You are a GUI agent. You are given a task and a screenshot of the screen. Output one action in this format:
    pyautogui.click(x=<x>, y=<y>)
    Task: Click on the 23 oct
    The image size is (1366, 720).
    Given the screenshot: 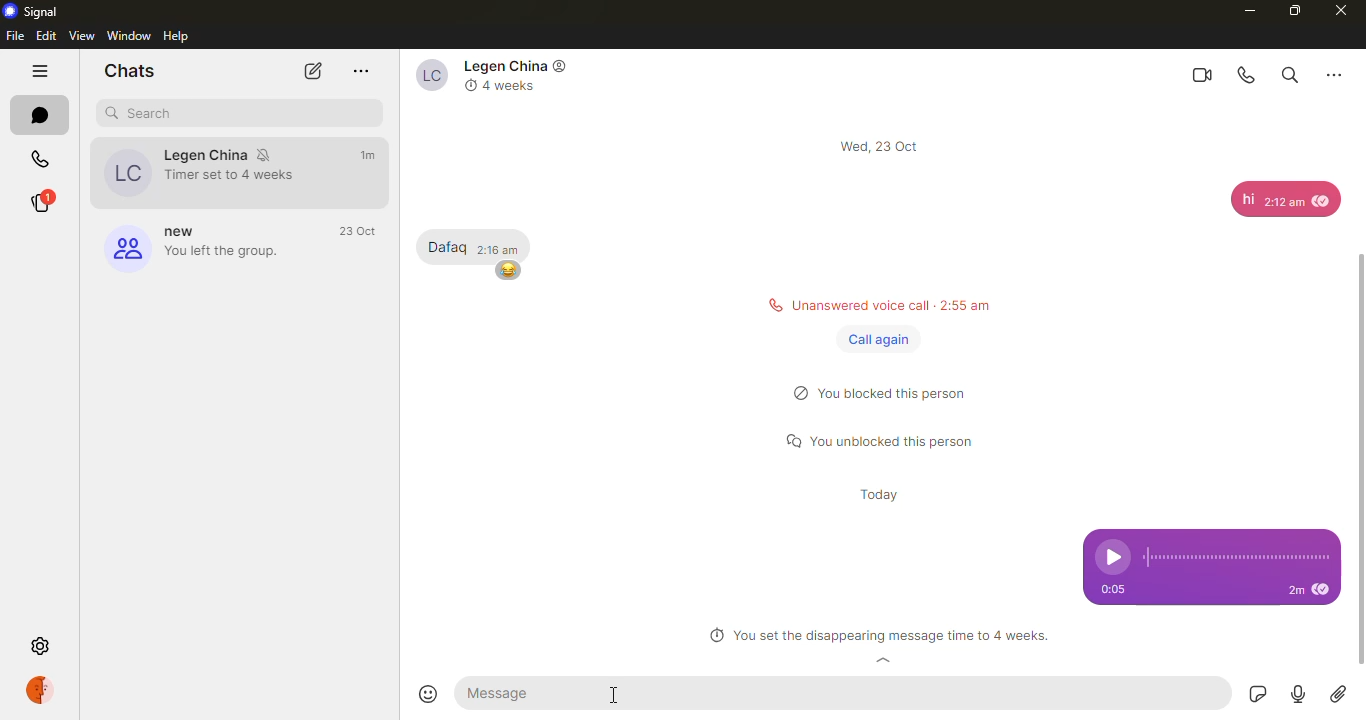 What is the action you would take?
    pyautogui.click(x=361, y=232)
    